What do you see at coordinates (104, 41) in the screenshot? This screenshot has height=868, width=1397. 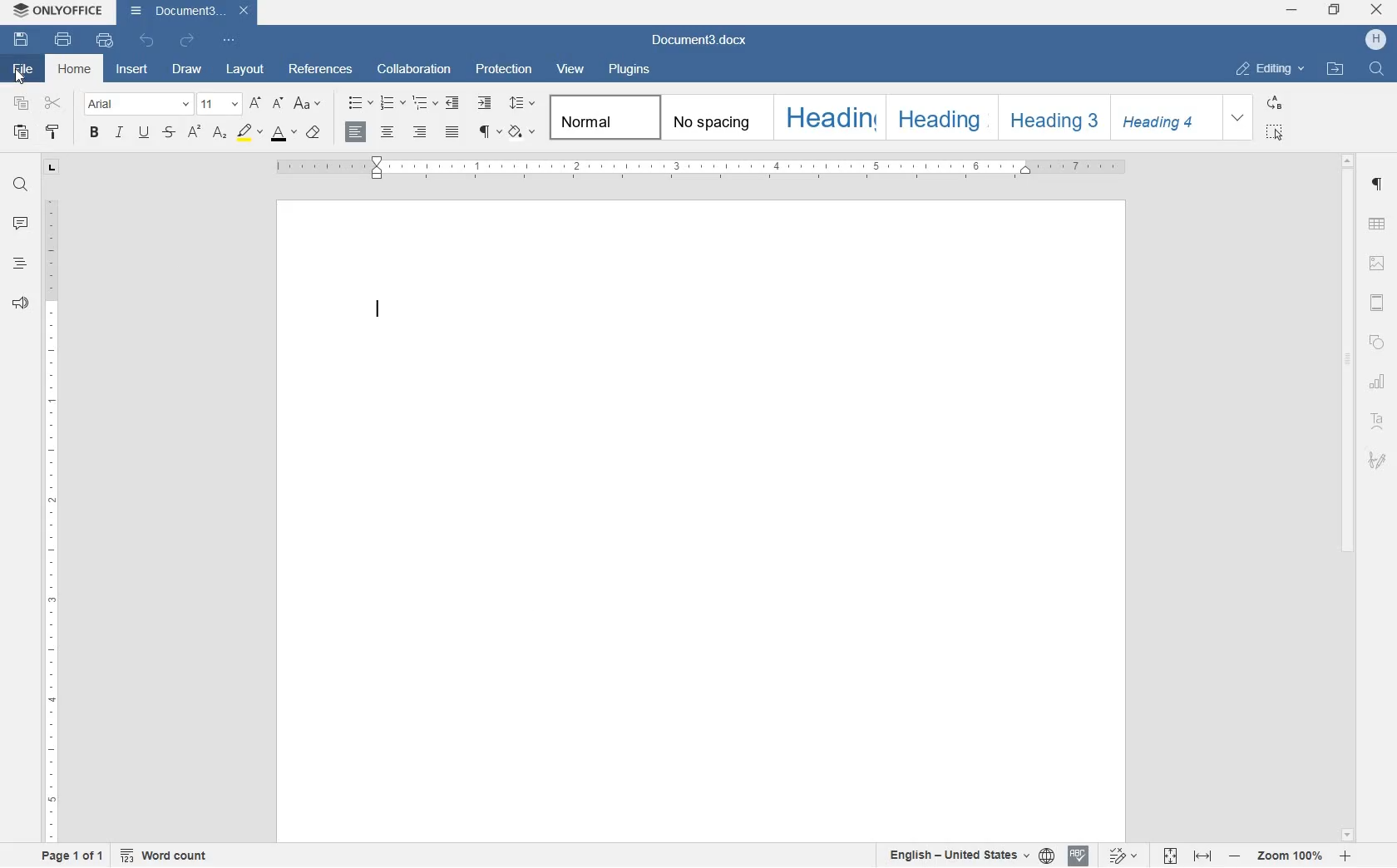 I see `quick print` at bounding box center [104, 41].